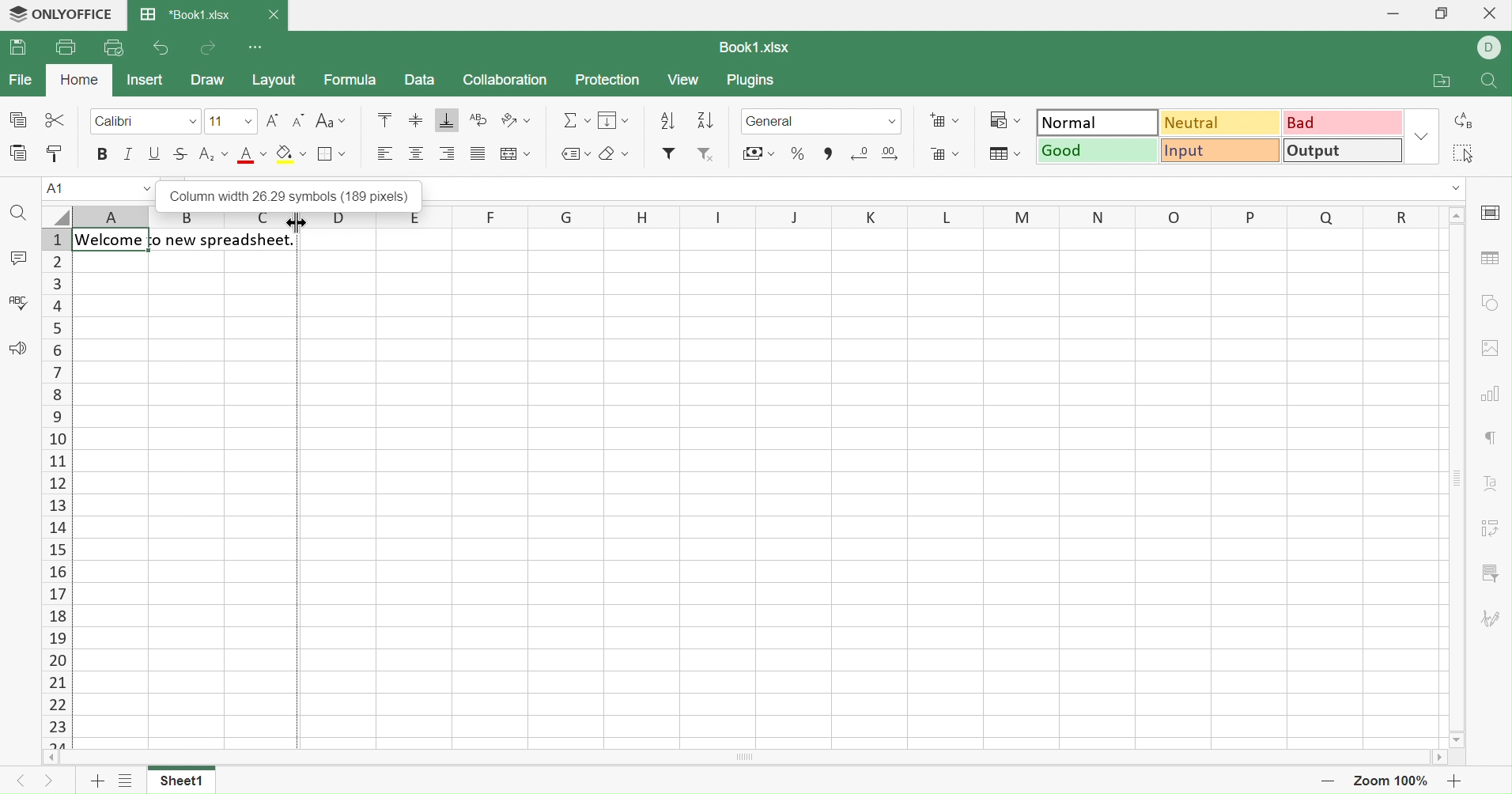  What do you see at coordinates (860, 152) in the screenshot?
I see `Decrease decimal` at bounding box center [860, 152].